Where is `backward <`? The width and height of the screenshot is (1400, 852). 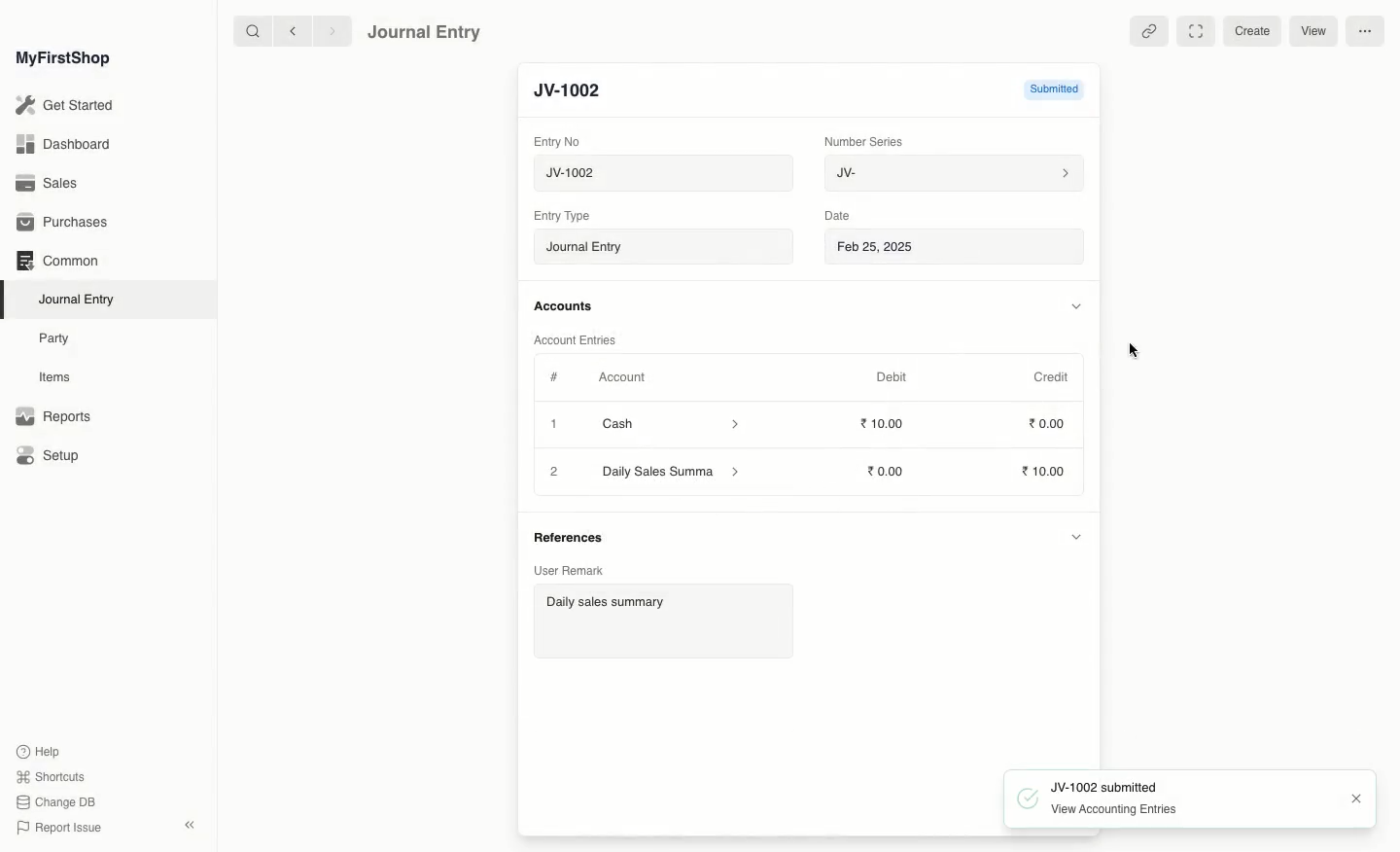
backward < is located at coordinates (288, 31).